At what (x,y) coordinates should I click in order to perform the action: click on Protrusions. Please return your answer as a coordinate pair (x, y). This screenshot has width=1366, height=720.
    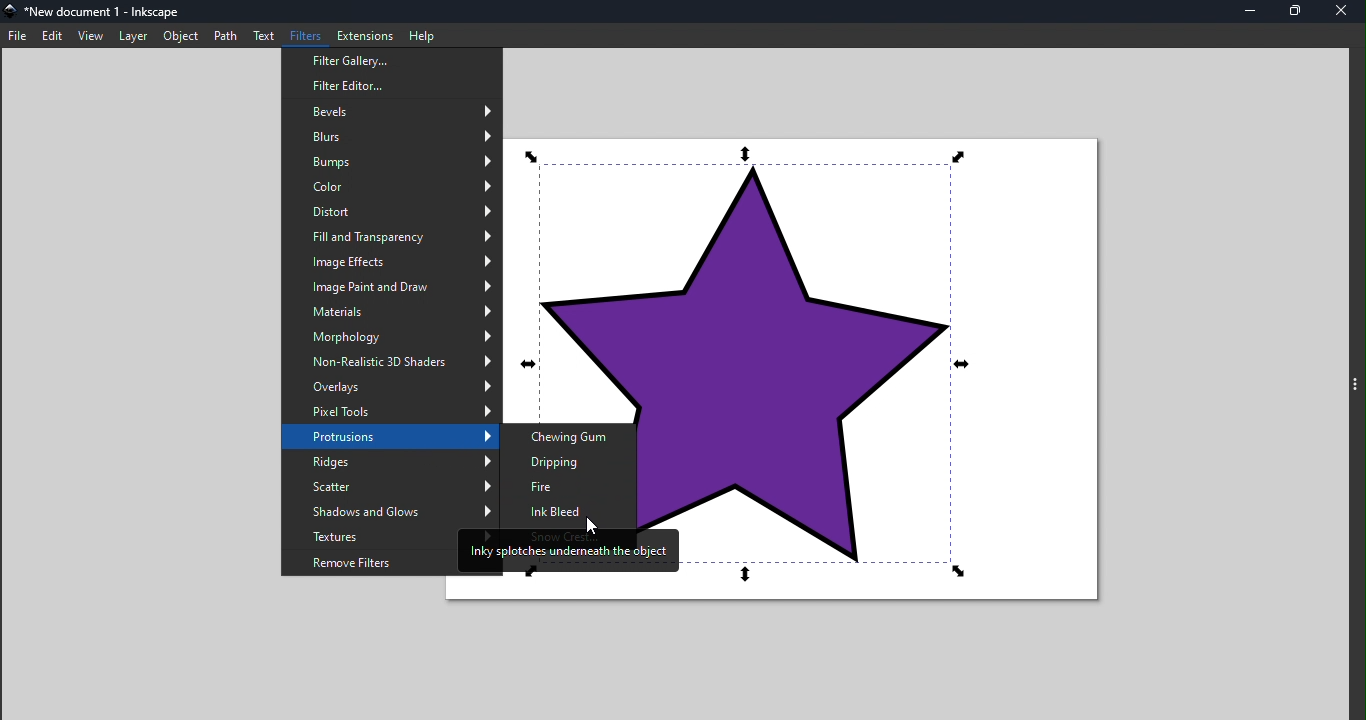
    Looking at the image, I should click on (387, 438).